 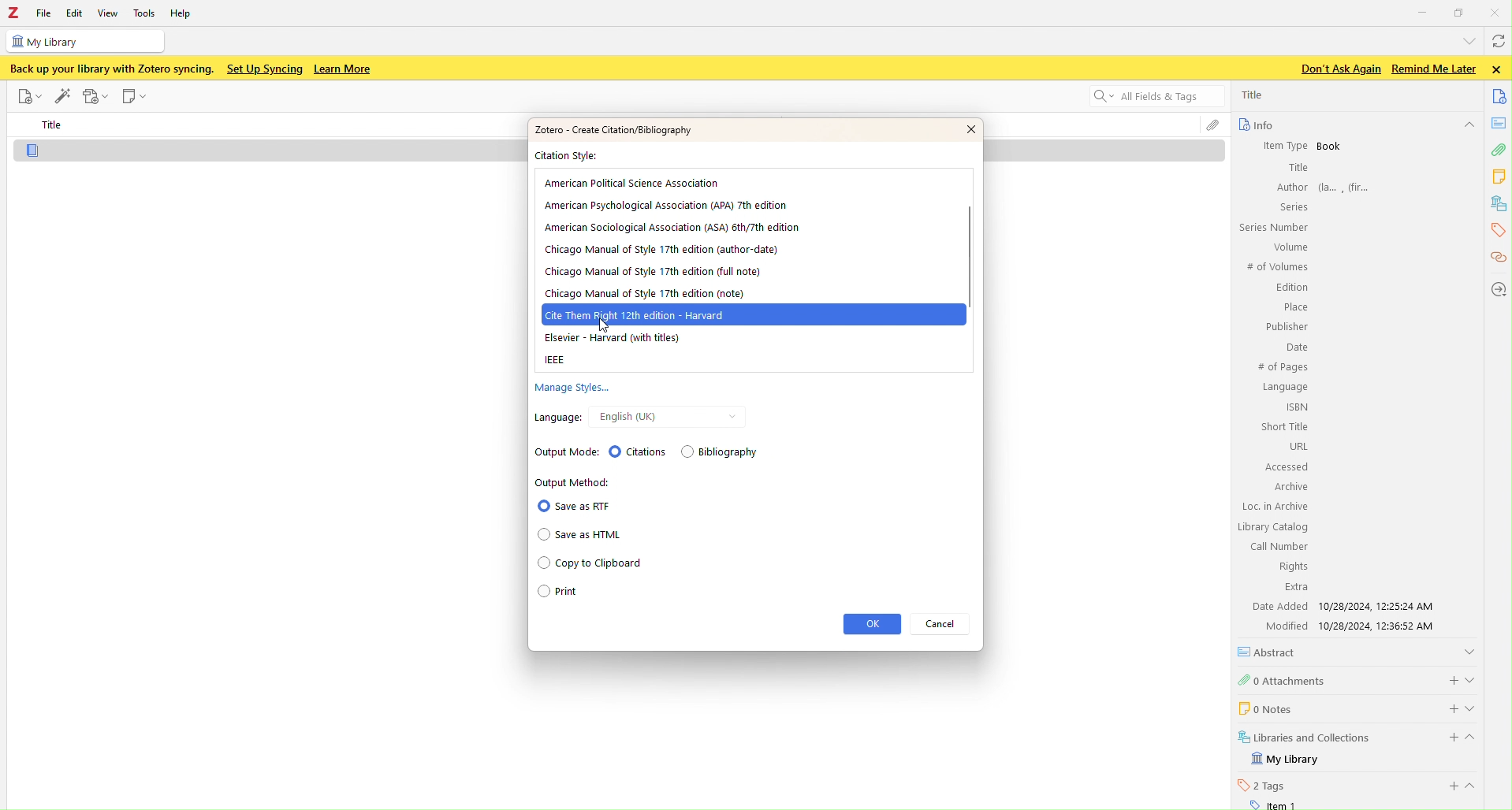 What do you see at coordinates (625, 417) in the screenshot?
I see `English (UK)` at bounding box center [625, 417].